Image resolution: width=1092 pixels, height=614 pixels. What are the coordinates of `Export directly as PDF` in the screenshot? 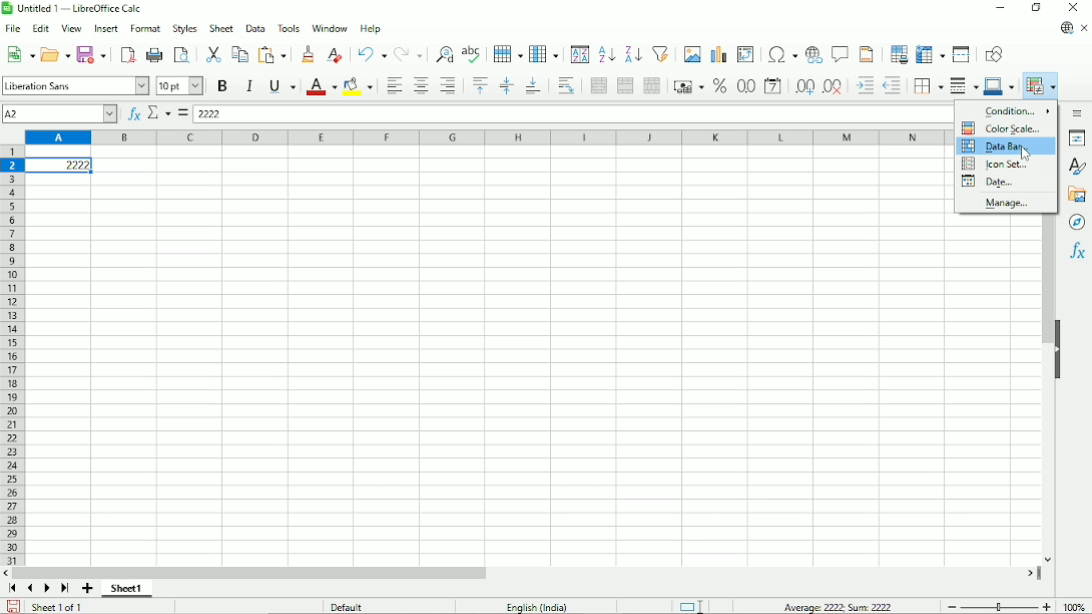 It's located at (127, 53).